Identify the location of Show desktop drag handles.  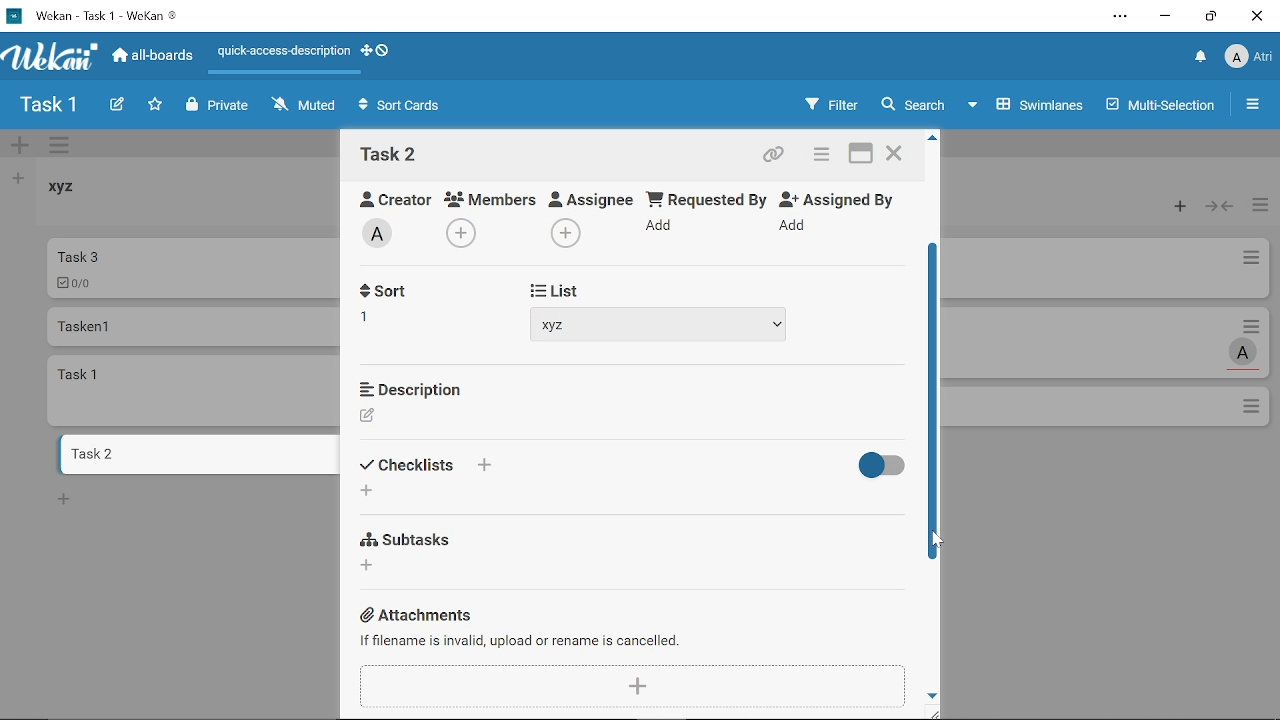
(365, 51).